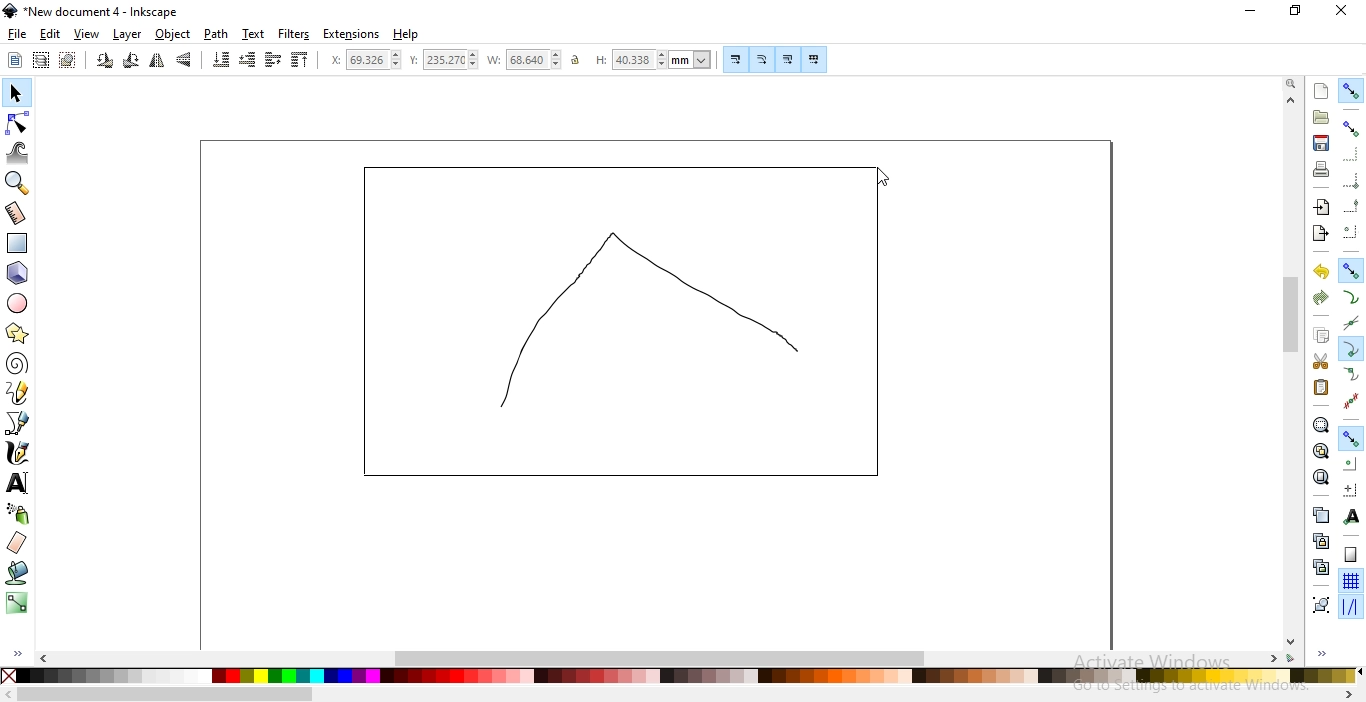 Image resolution: width=1366 pixels, height=702 pixels. Describe the element at coordinates (1320, 514) in the screenshot. I see `duplicate selected objects` at that location.